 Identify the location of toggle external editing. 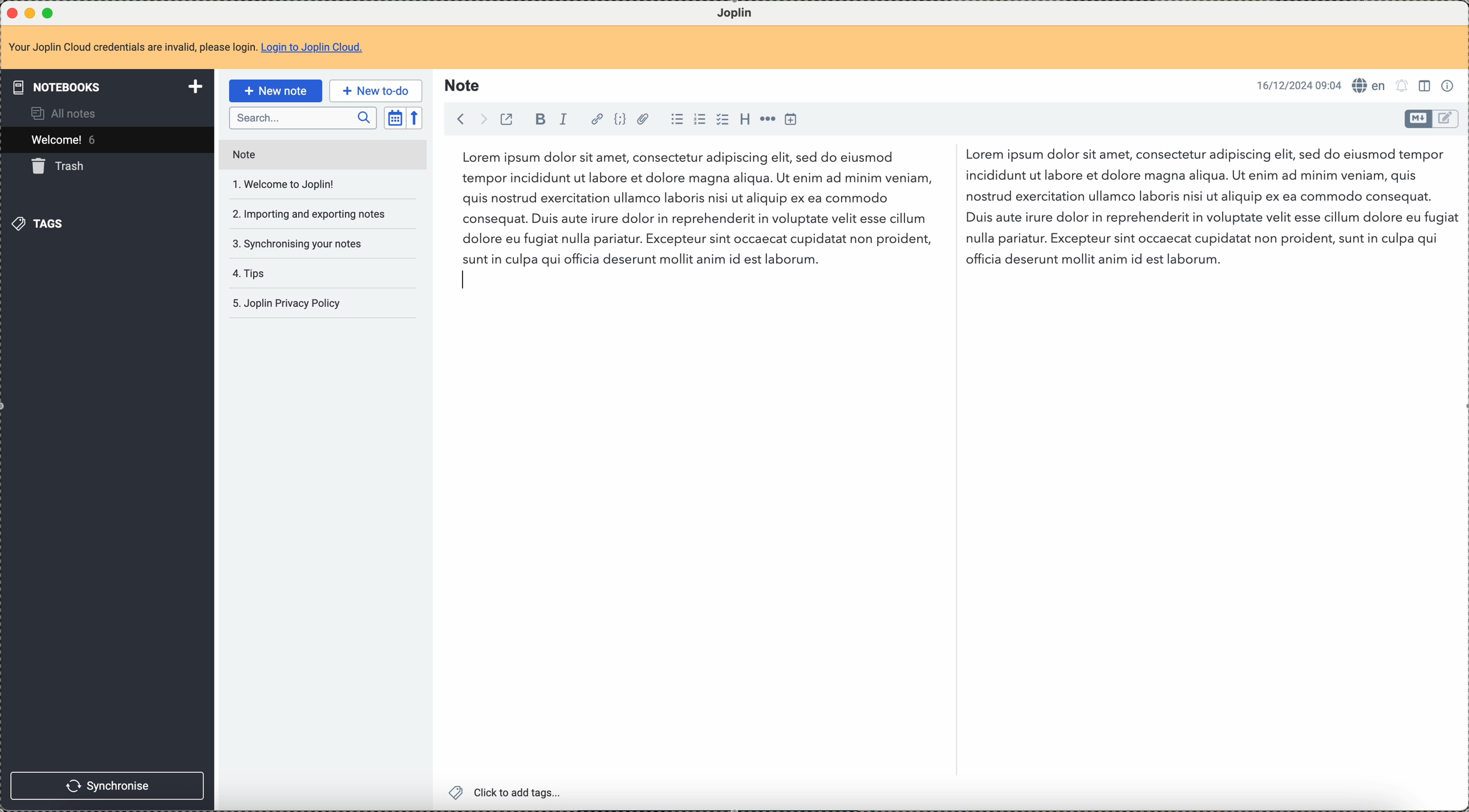
(506, 120).